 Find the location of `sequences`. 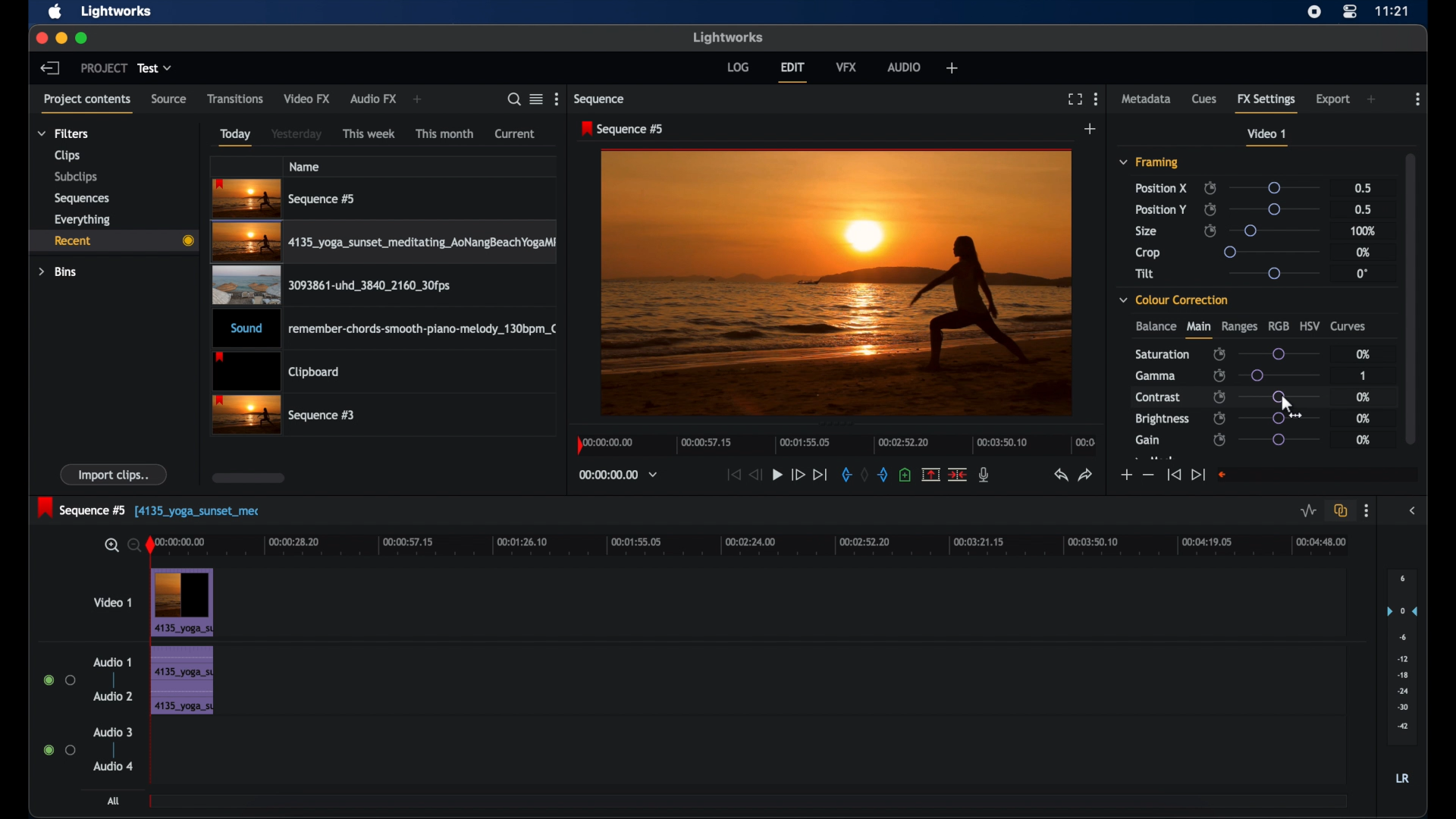

sequences is located at coordinates (82, 199).